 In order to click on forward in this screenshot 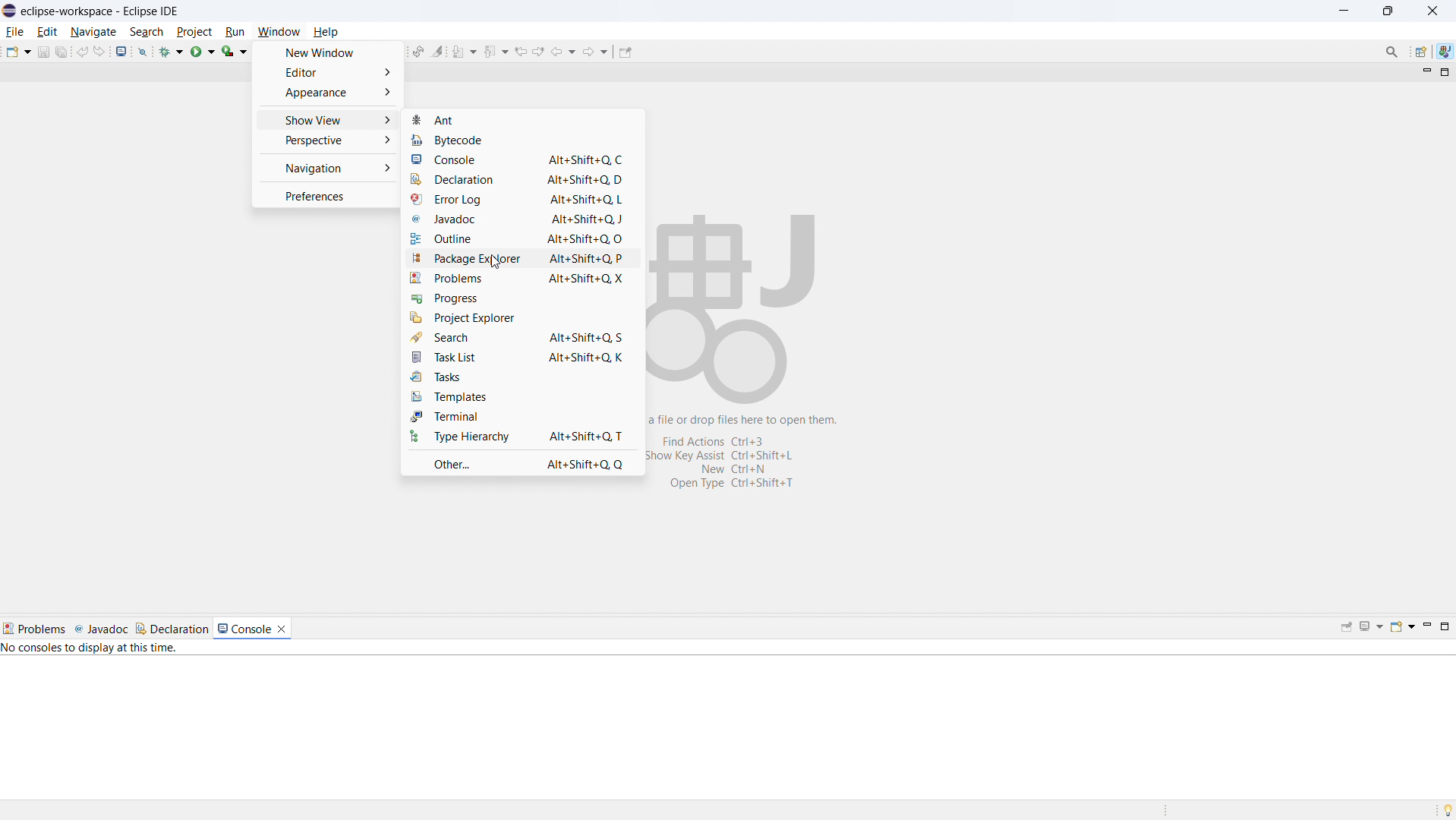, I will do `click(595, 50)`.